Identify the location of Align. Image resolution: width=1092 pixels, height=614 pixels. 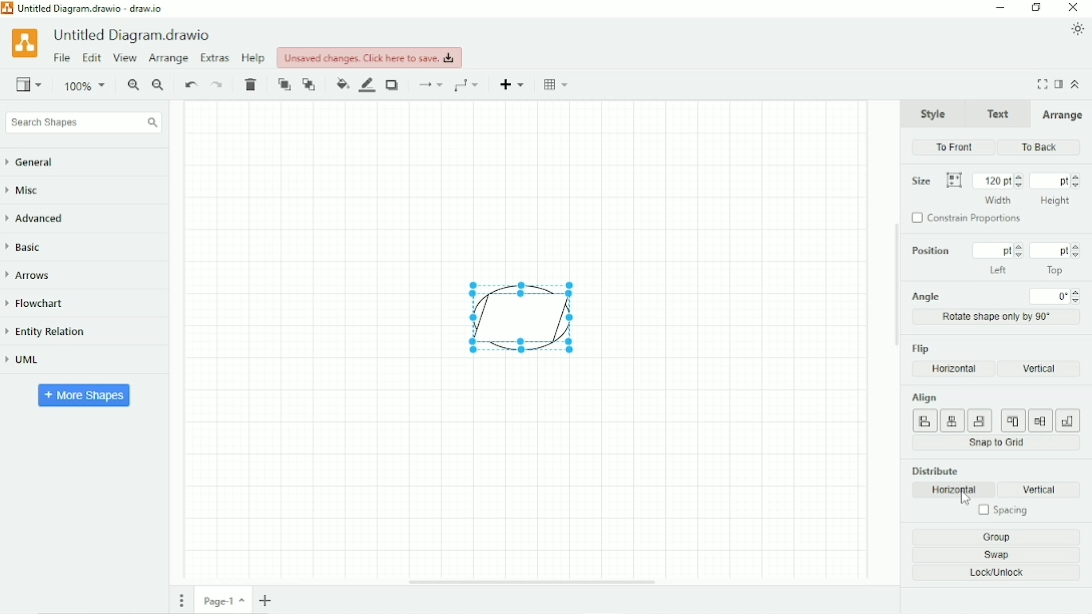
(994, 412).